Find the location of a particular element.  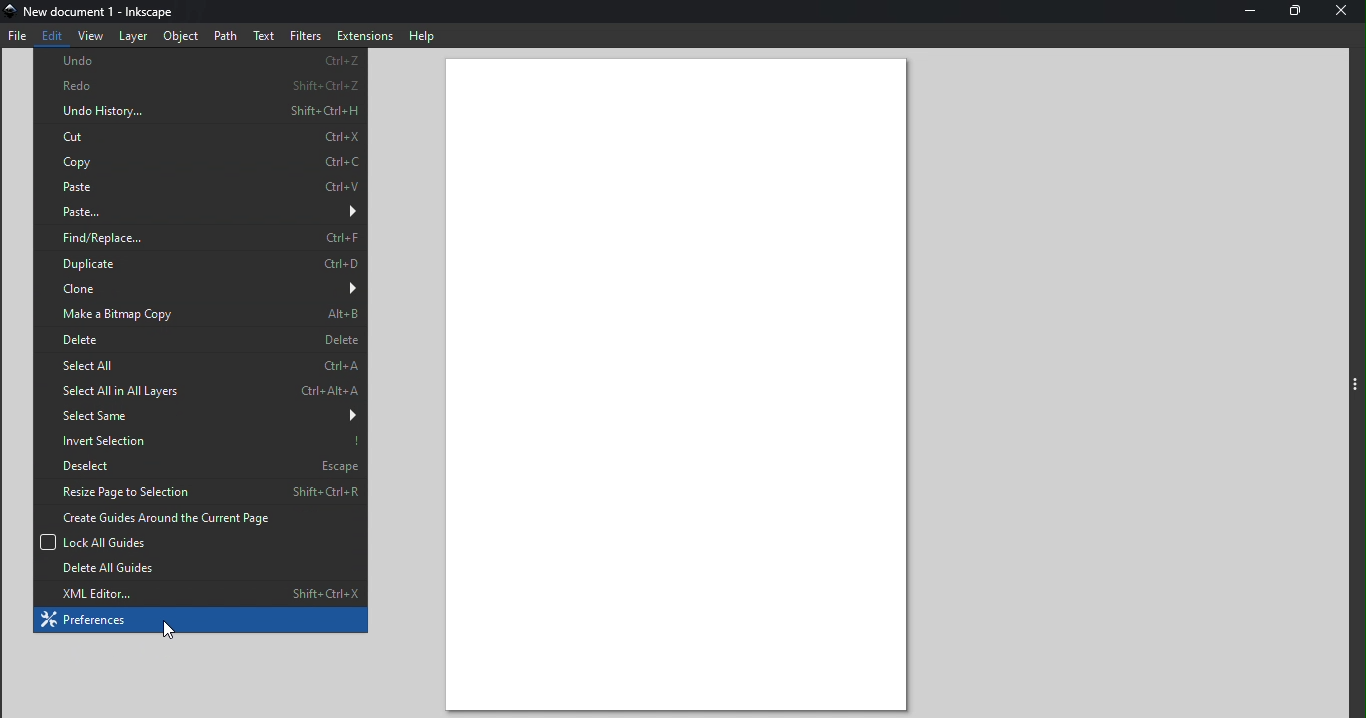

Edit is located at coordinates (51, 35).